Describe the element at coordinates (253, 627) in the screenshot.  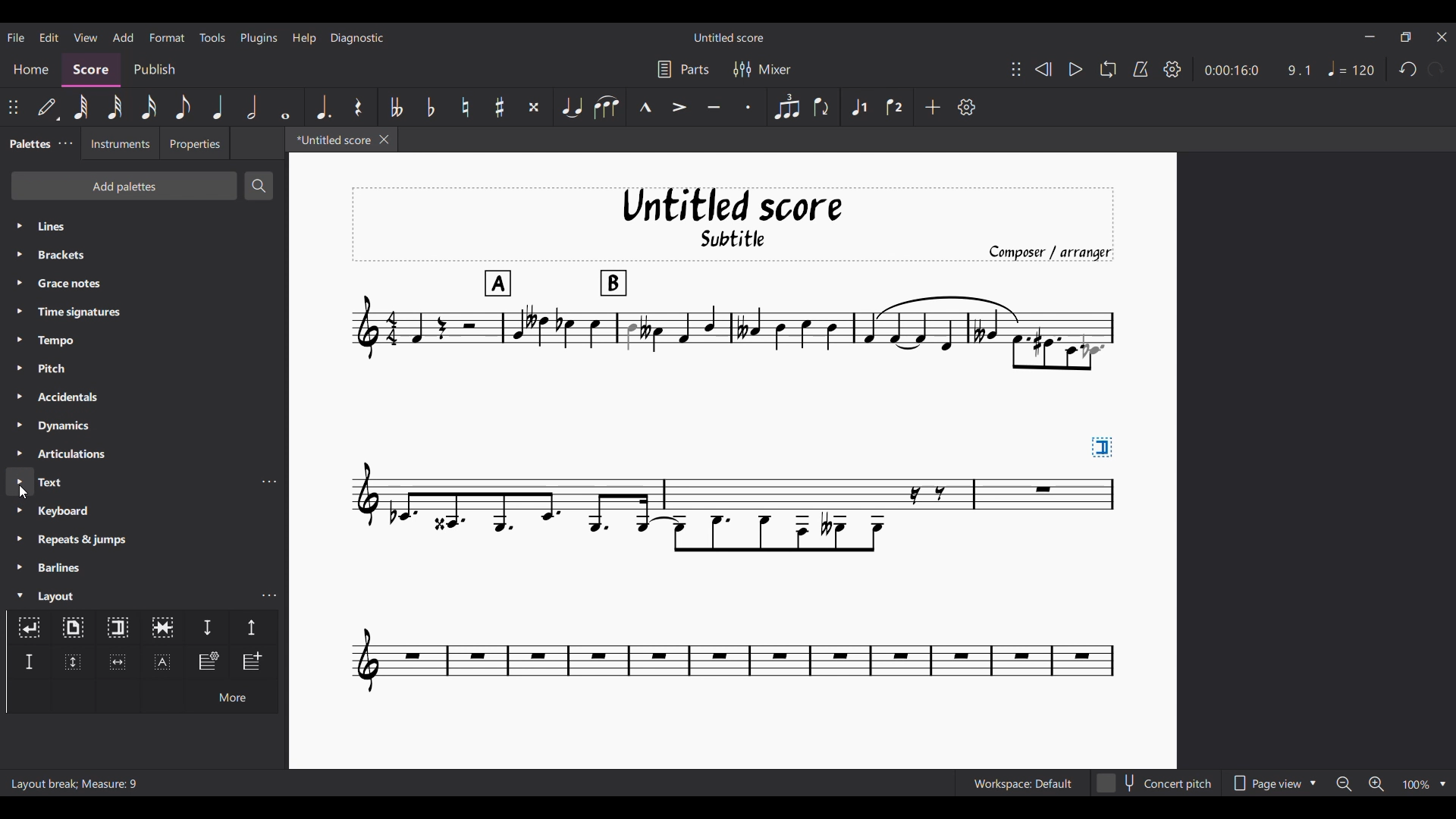
I see `Staff spacer up` at that location.